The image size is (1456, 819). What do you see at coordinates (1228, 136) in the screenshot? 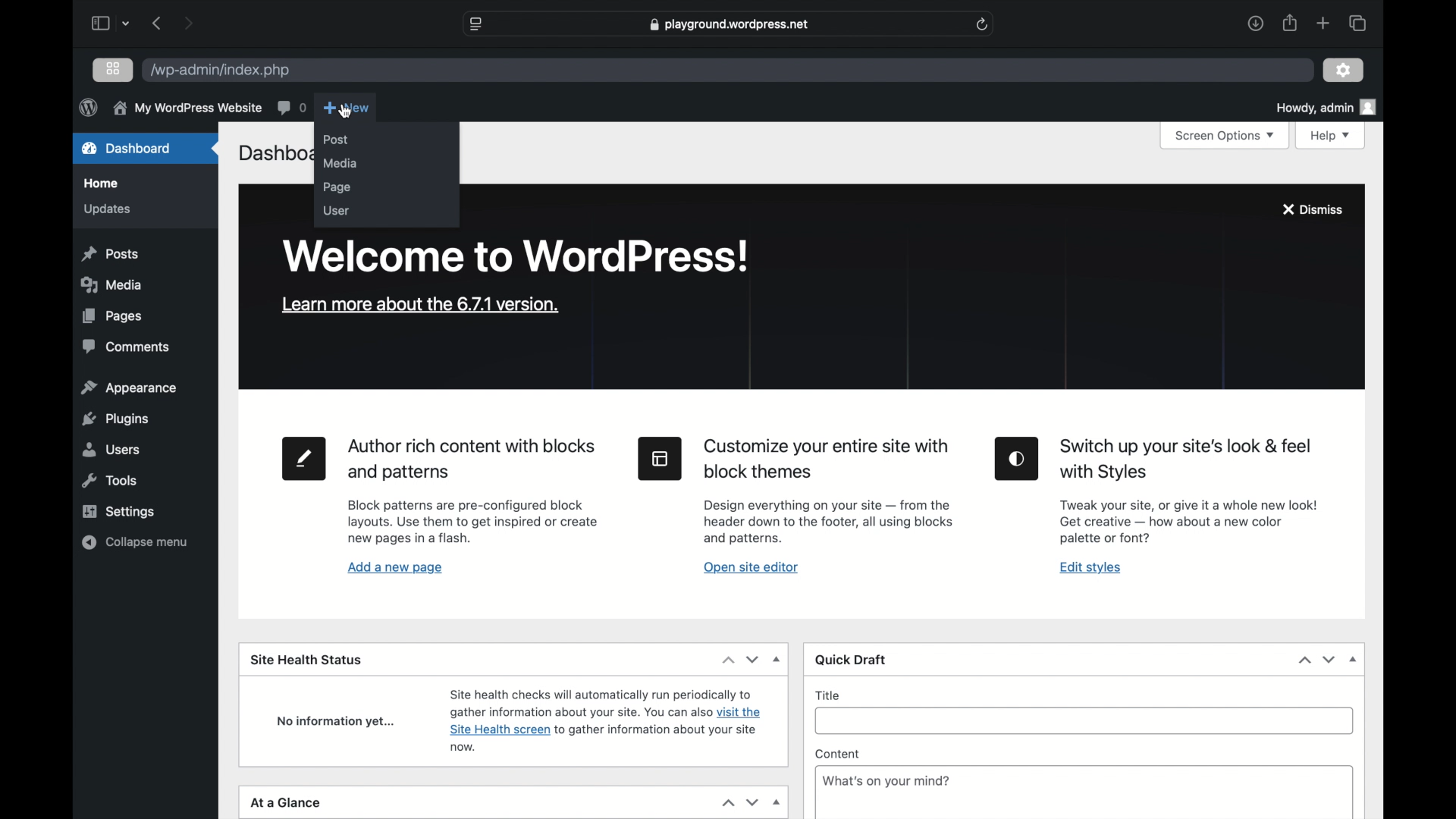
I see `screen options` at bounding box center [1228, 136].